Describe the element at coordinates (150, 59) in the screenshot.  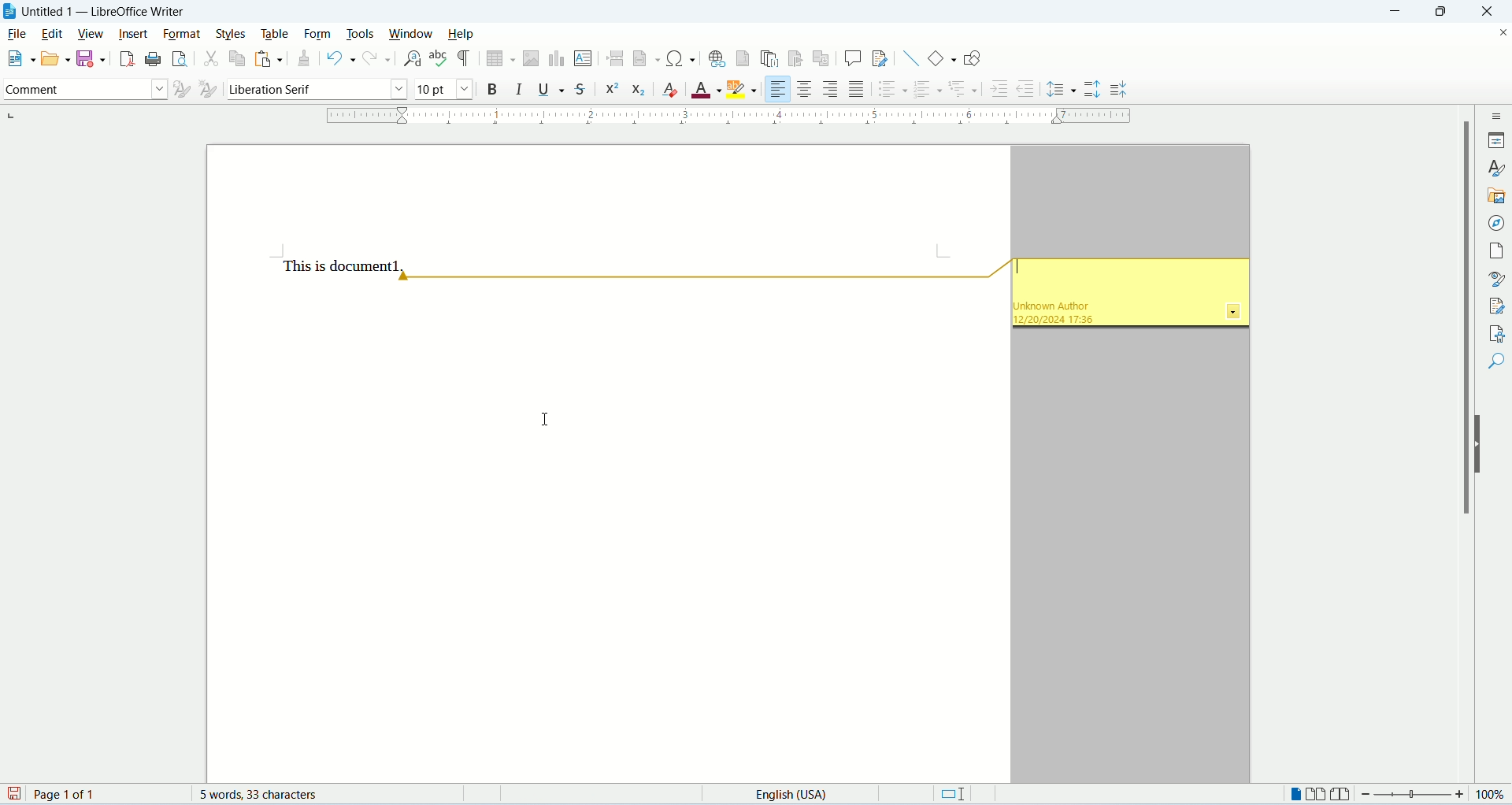
I see `print` at that location.